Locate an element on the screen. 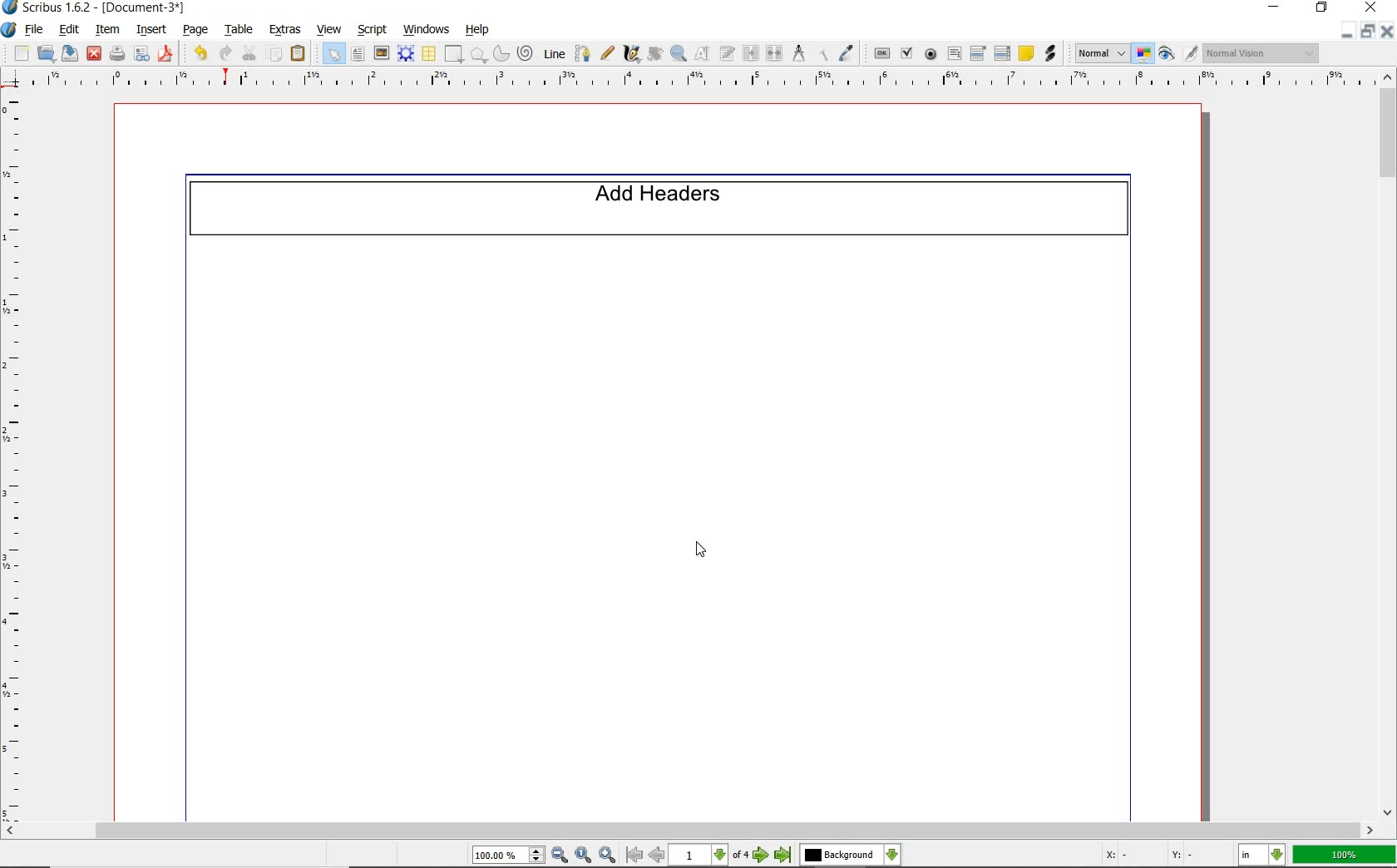  ruler is located at coordinates (20, 457).